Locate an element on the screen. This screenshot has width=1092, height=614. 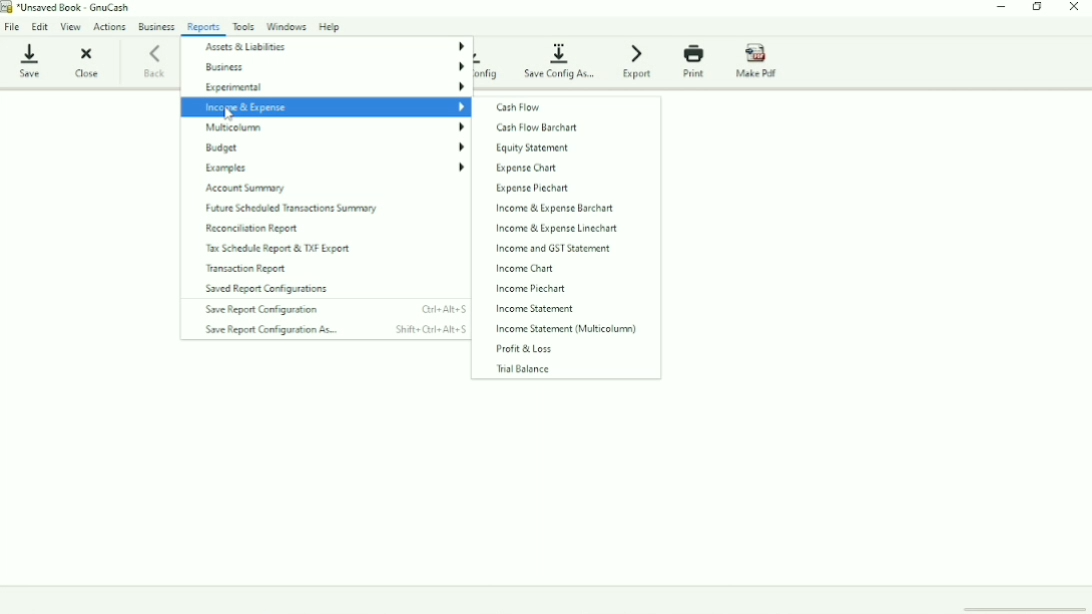
Reconciliation Report is located at coordinates (252, 228).